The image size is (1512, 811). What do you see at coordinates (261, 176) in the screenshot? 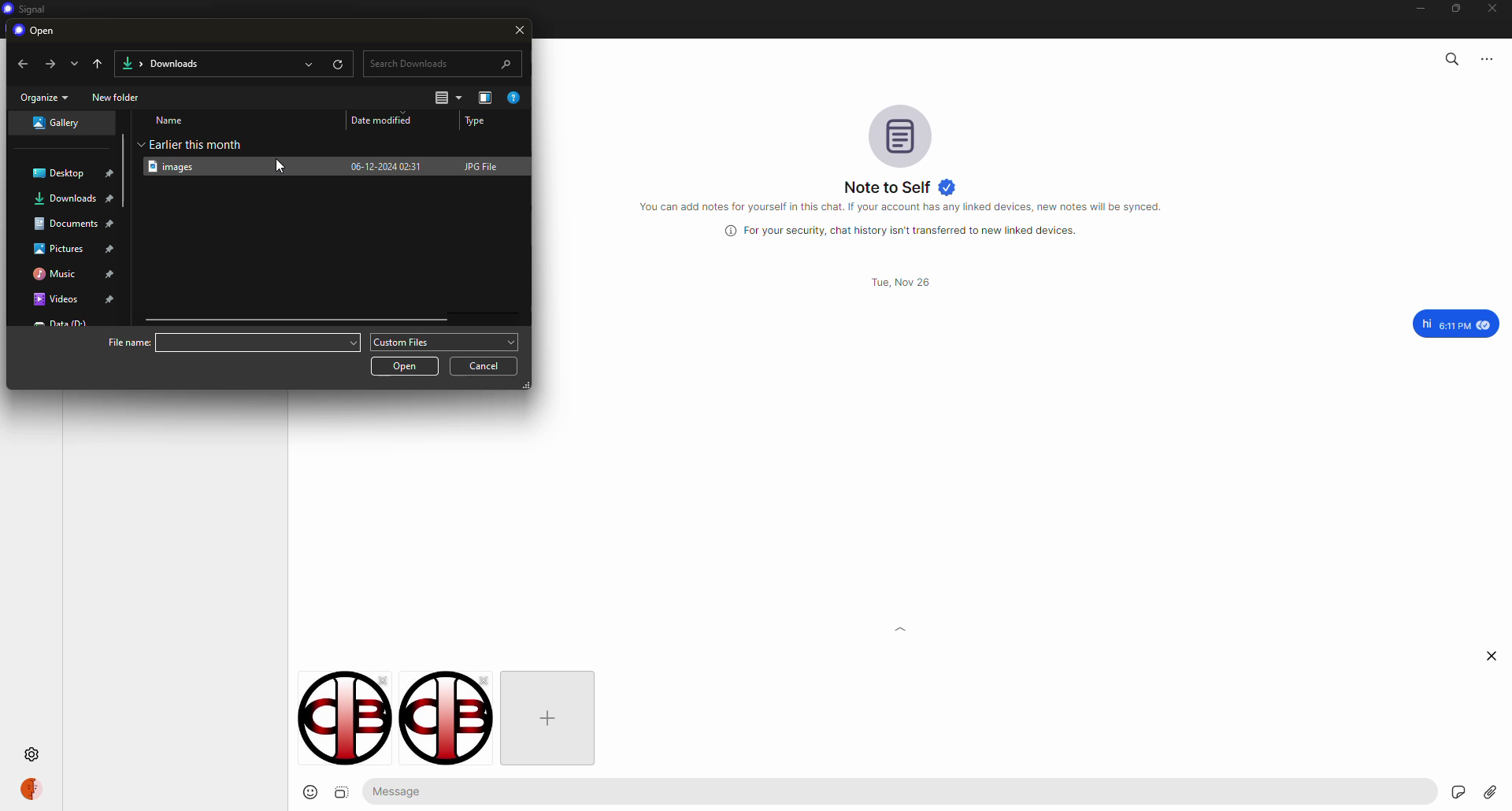
I see `cursor` at bounding box center [261, 176].